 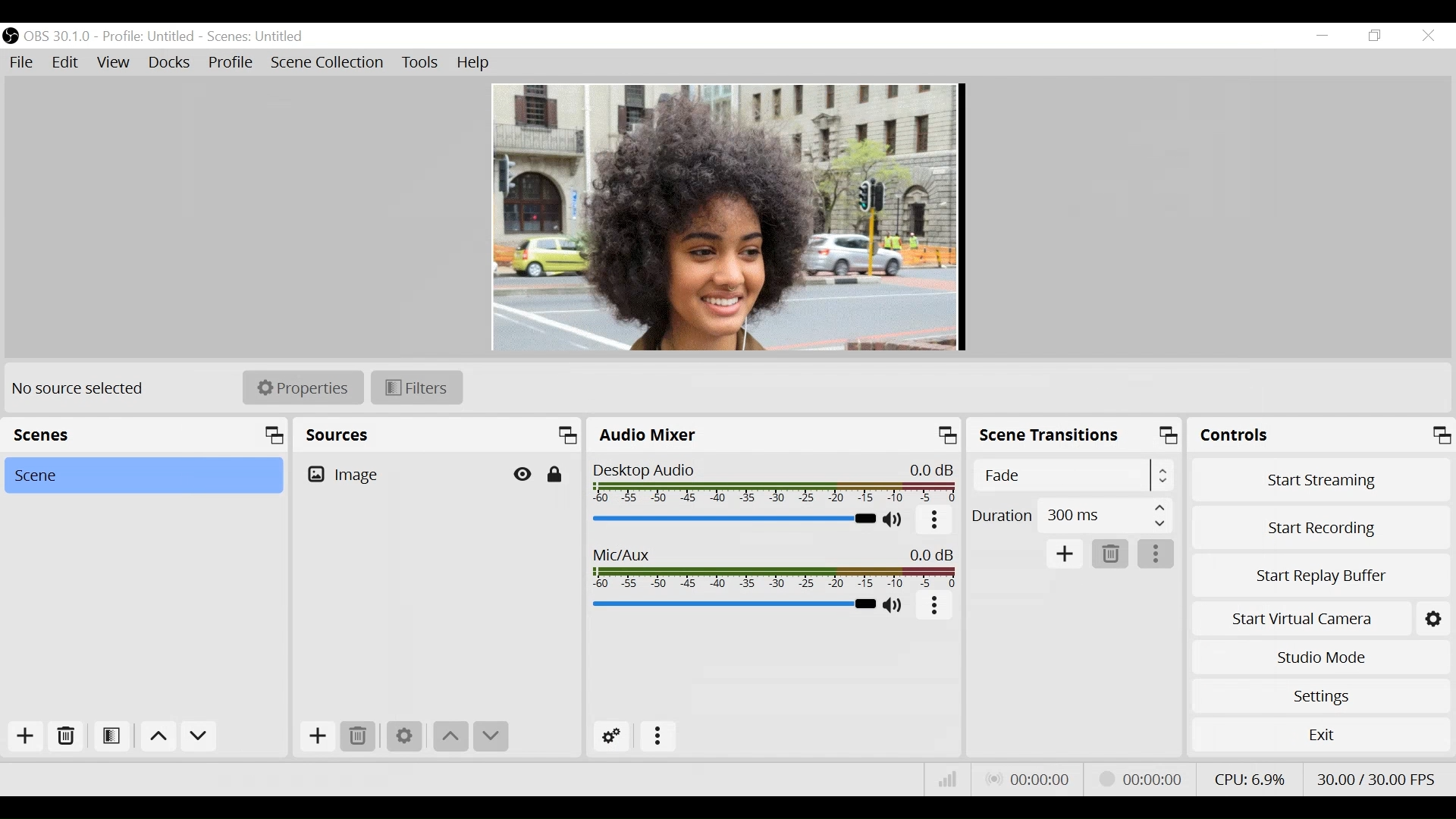 What do you see at coordinates (1253, 777) in the screenshot?
I see `CPU Usage` at bounding box center [1253, 777].